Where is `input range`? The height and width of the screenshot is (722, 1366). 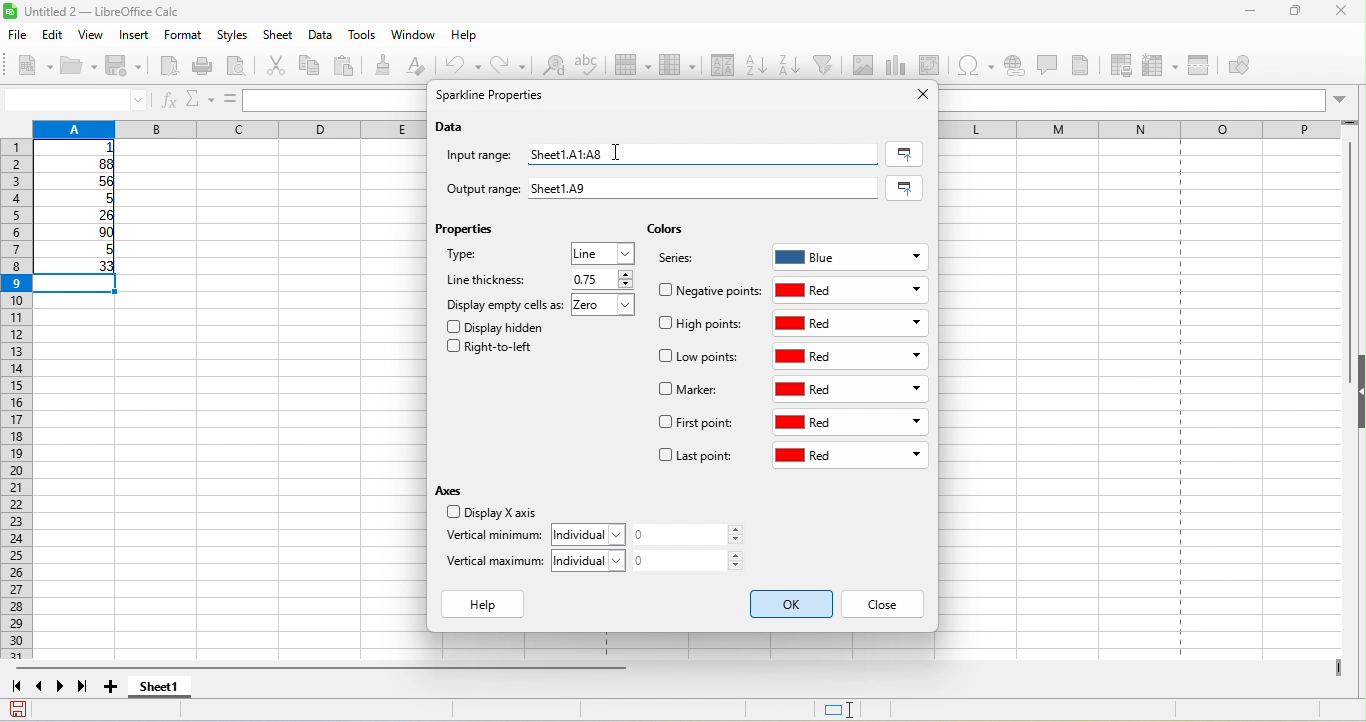 input range is located at coordinates (482, 157).